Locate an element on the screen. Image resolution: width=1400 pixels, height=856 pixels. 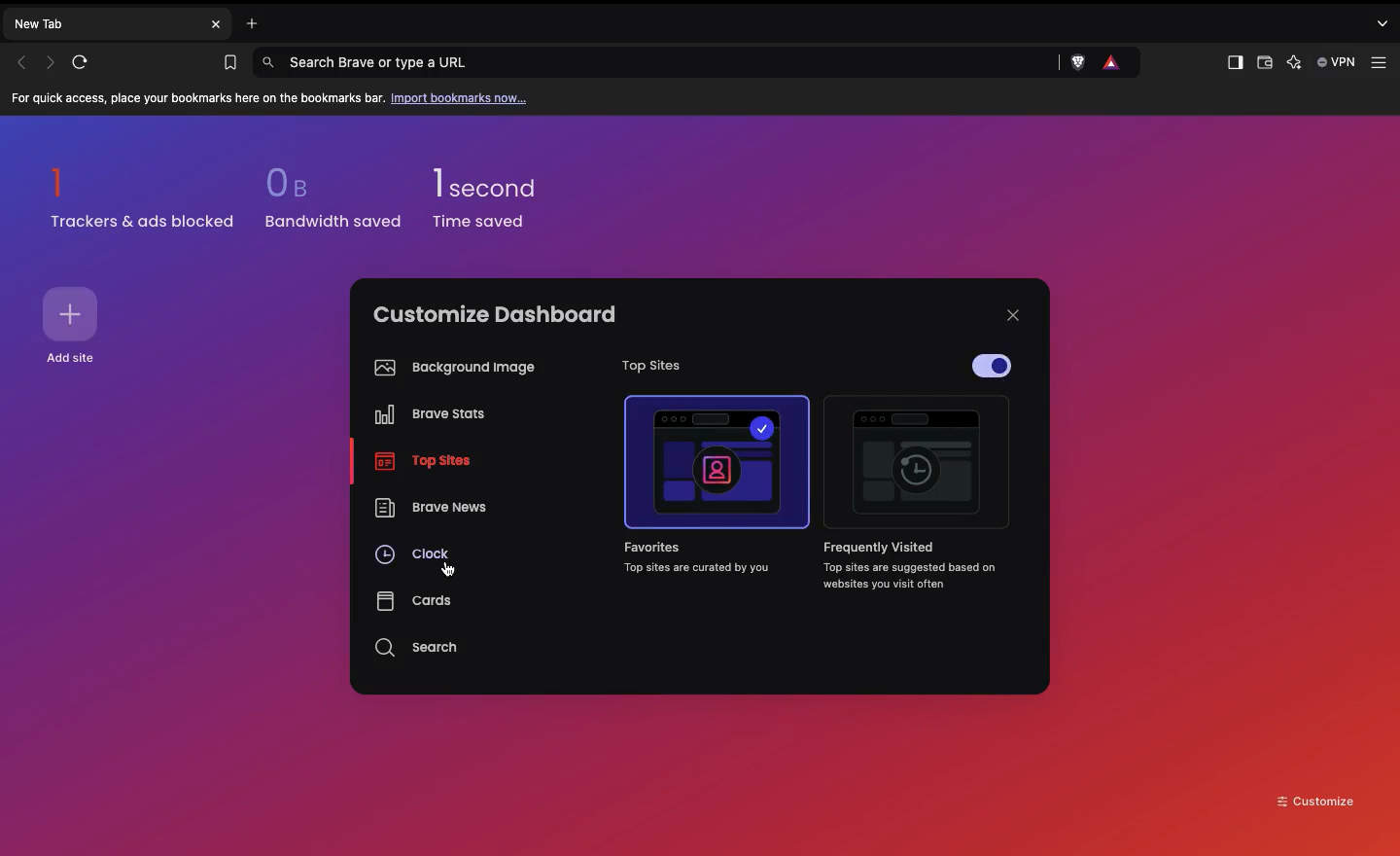
cursor is located at coordinates (446, 570).